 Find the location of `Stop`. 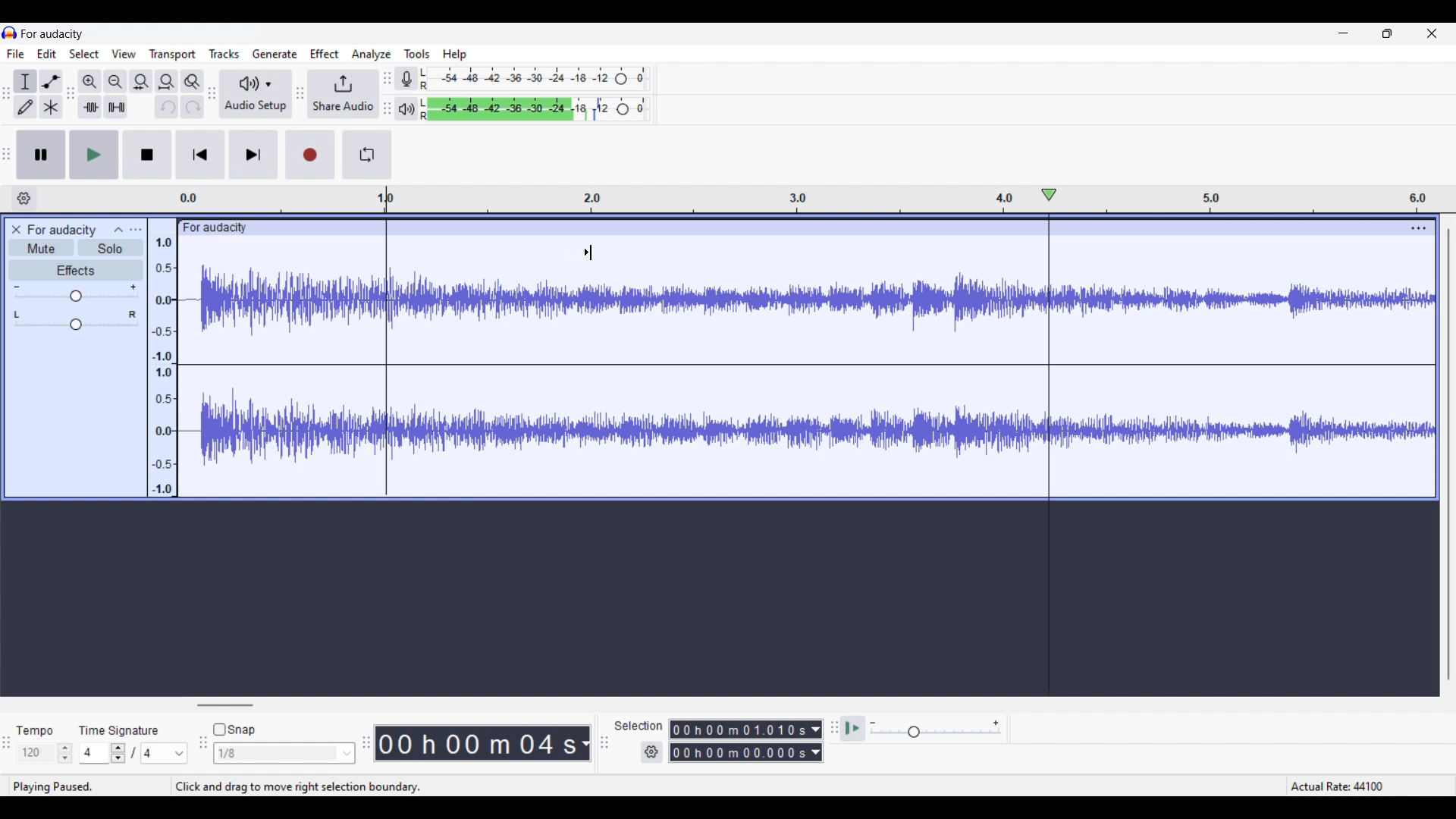

Stop is located at coordinates (148, 155).